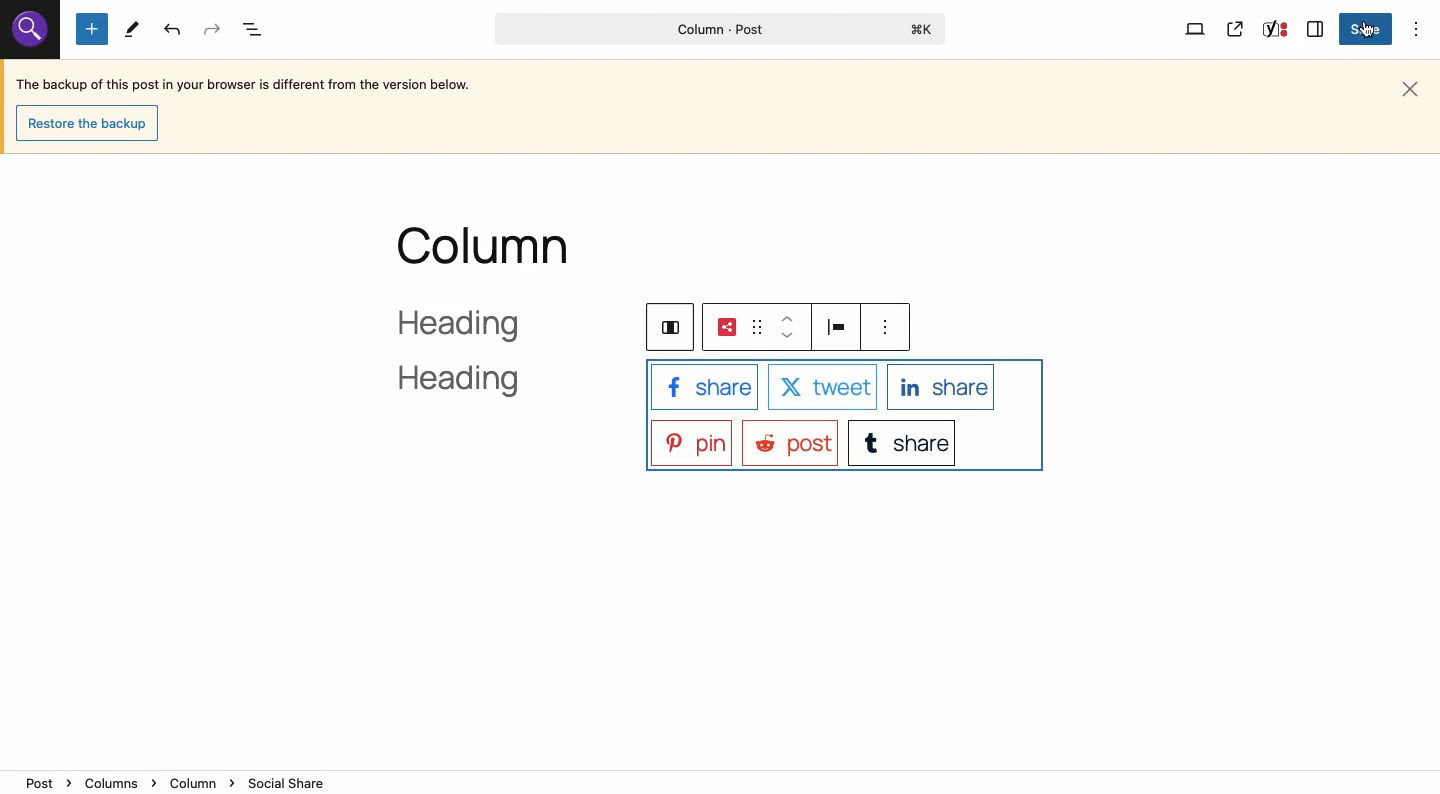 This screenshot has height=794, width=1440. What do you see at coordinates (174, 30) in the screenshot?
I see `Undo` at bounding box center [174, 30].